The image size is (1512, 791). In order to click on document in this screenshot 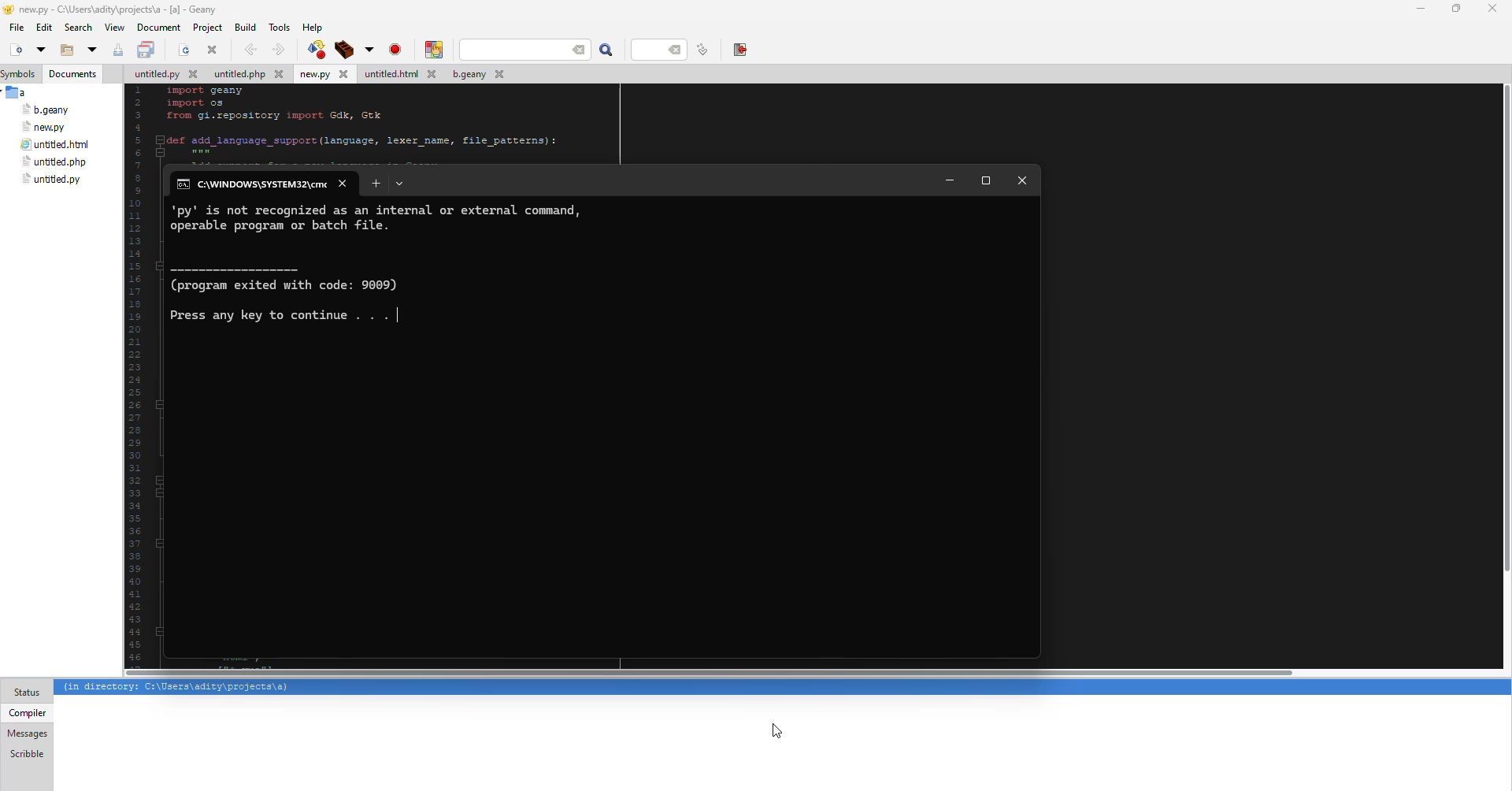, I will do `click(73, 74)`.